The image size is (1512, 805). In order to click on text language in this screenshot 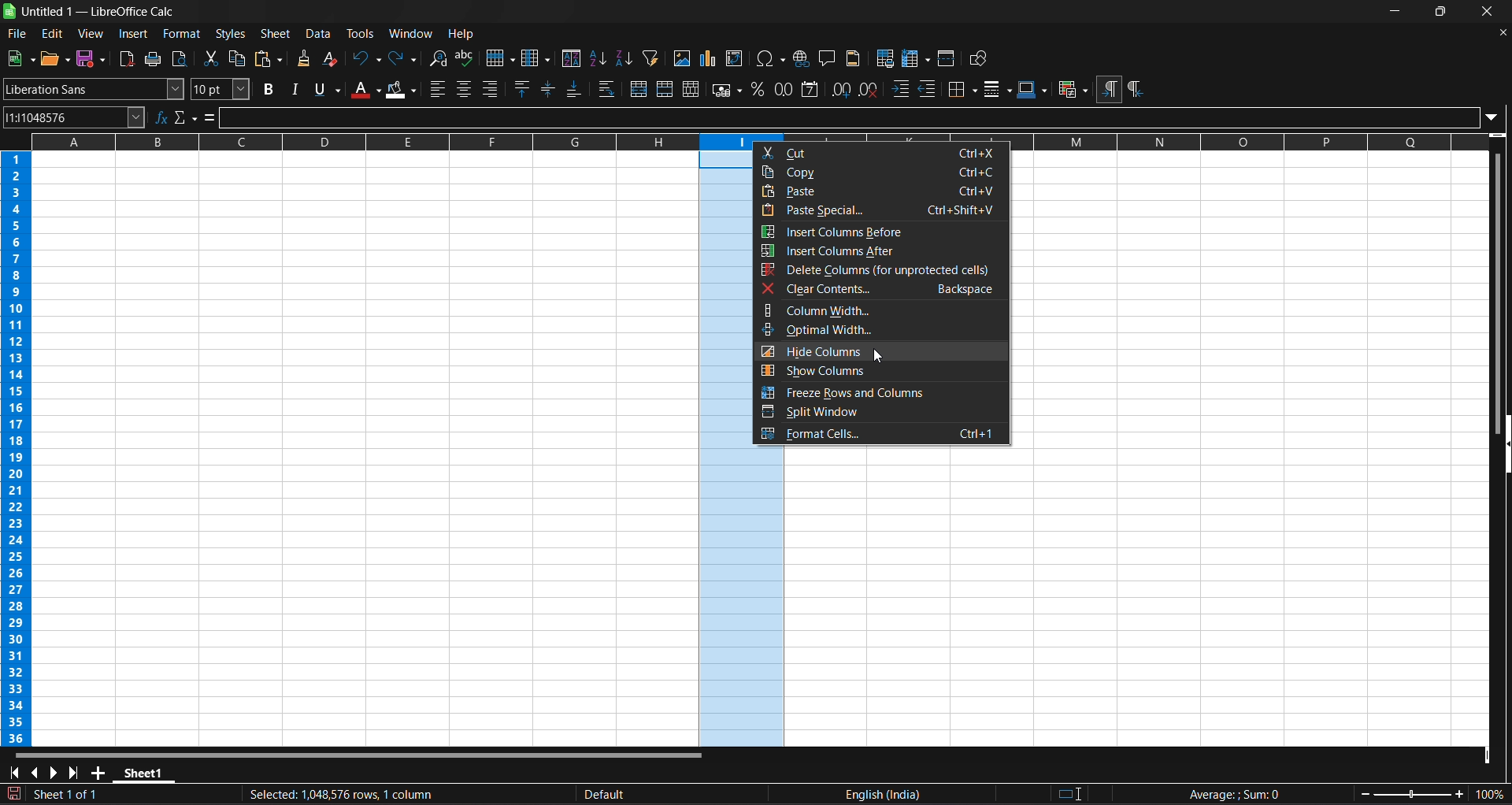, I will do `click(796, 796)`.